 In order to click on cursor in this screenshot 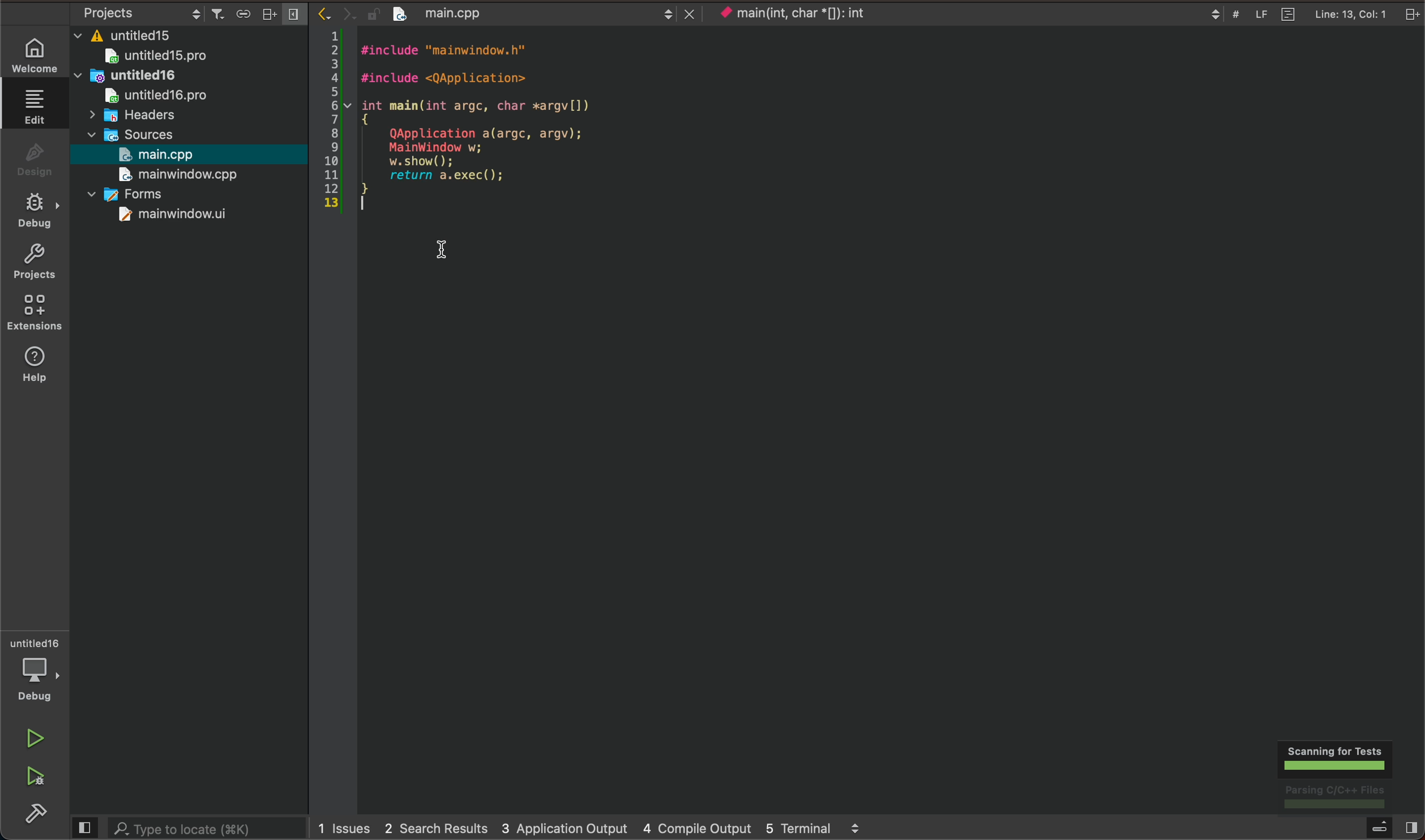, I will do `click(439, 244)`.